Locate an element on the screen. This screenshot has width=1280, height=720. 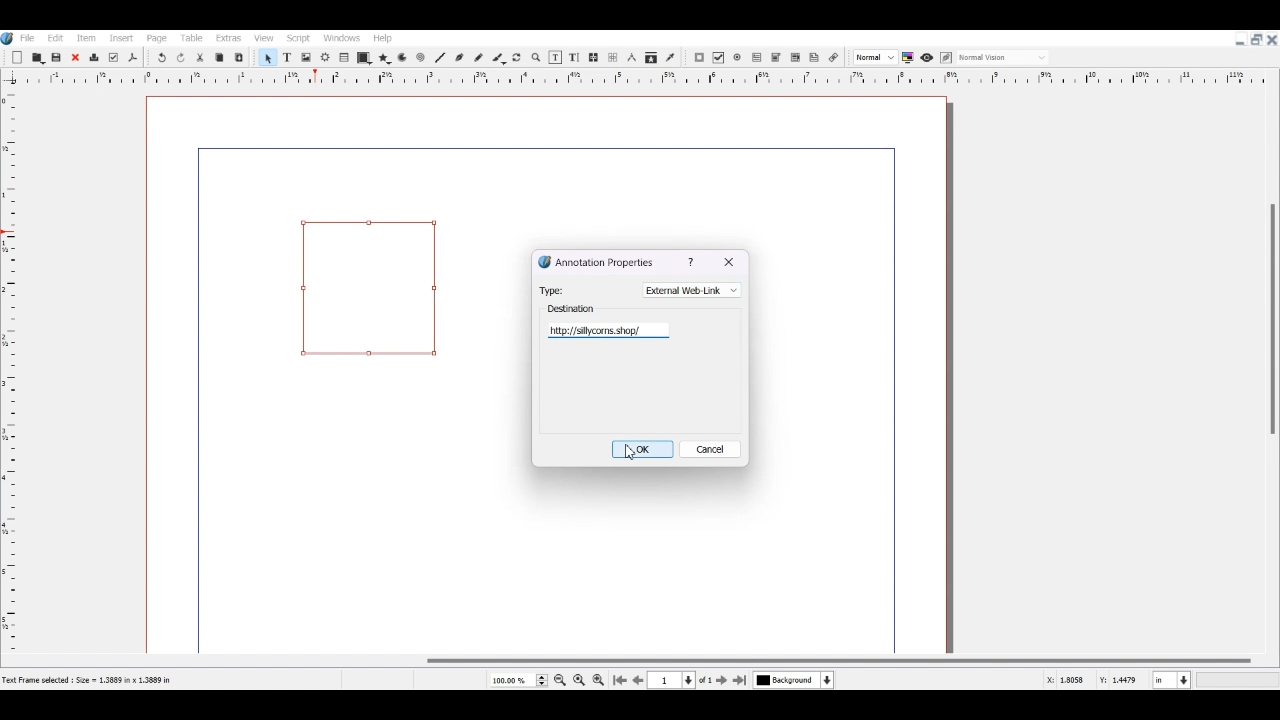
Zoom in or out is located at coordinates (535, 57).